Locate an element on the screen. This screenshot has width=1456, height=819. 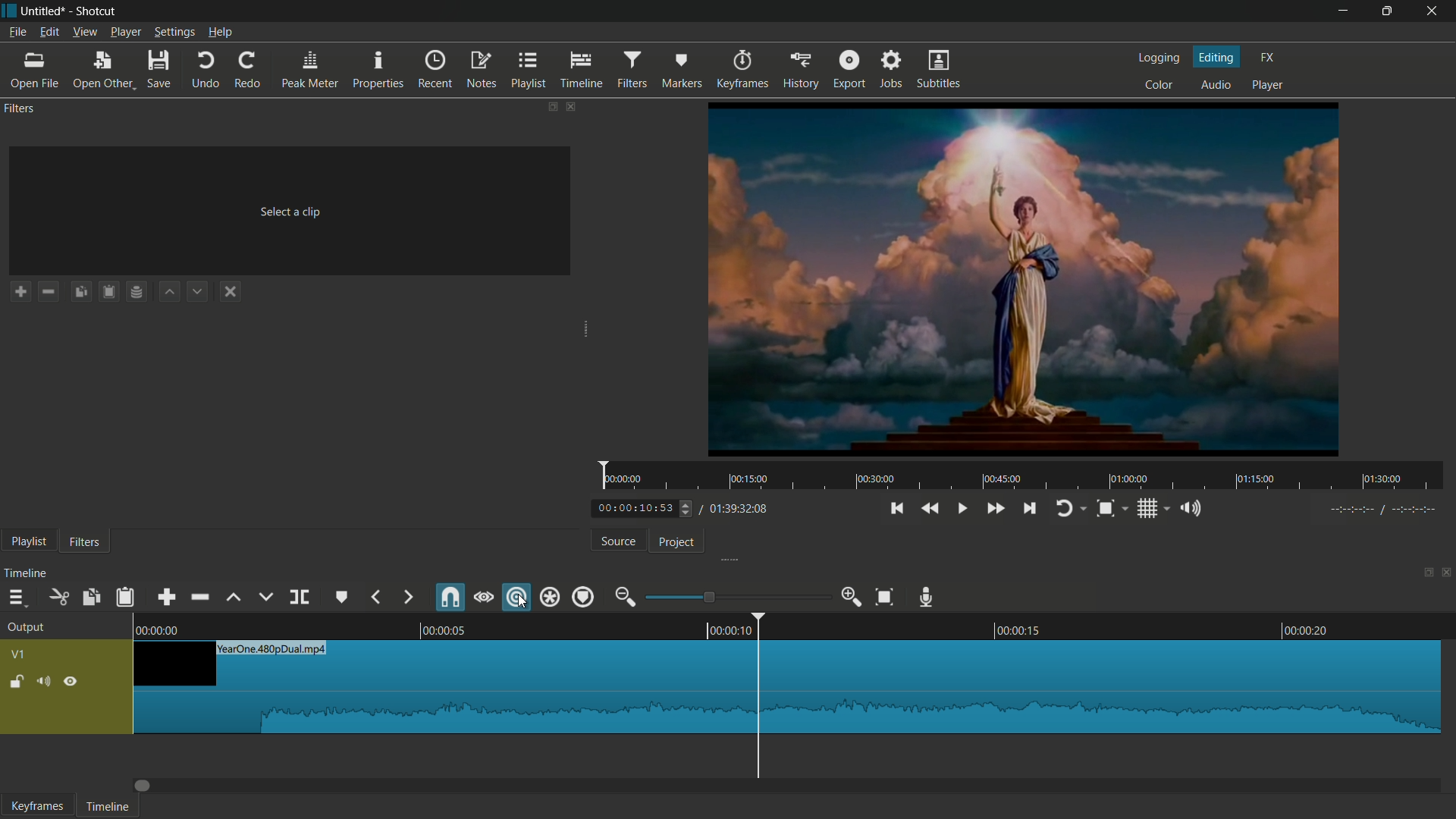
edit menu is located at coordinates (49, 33).